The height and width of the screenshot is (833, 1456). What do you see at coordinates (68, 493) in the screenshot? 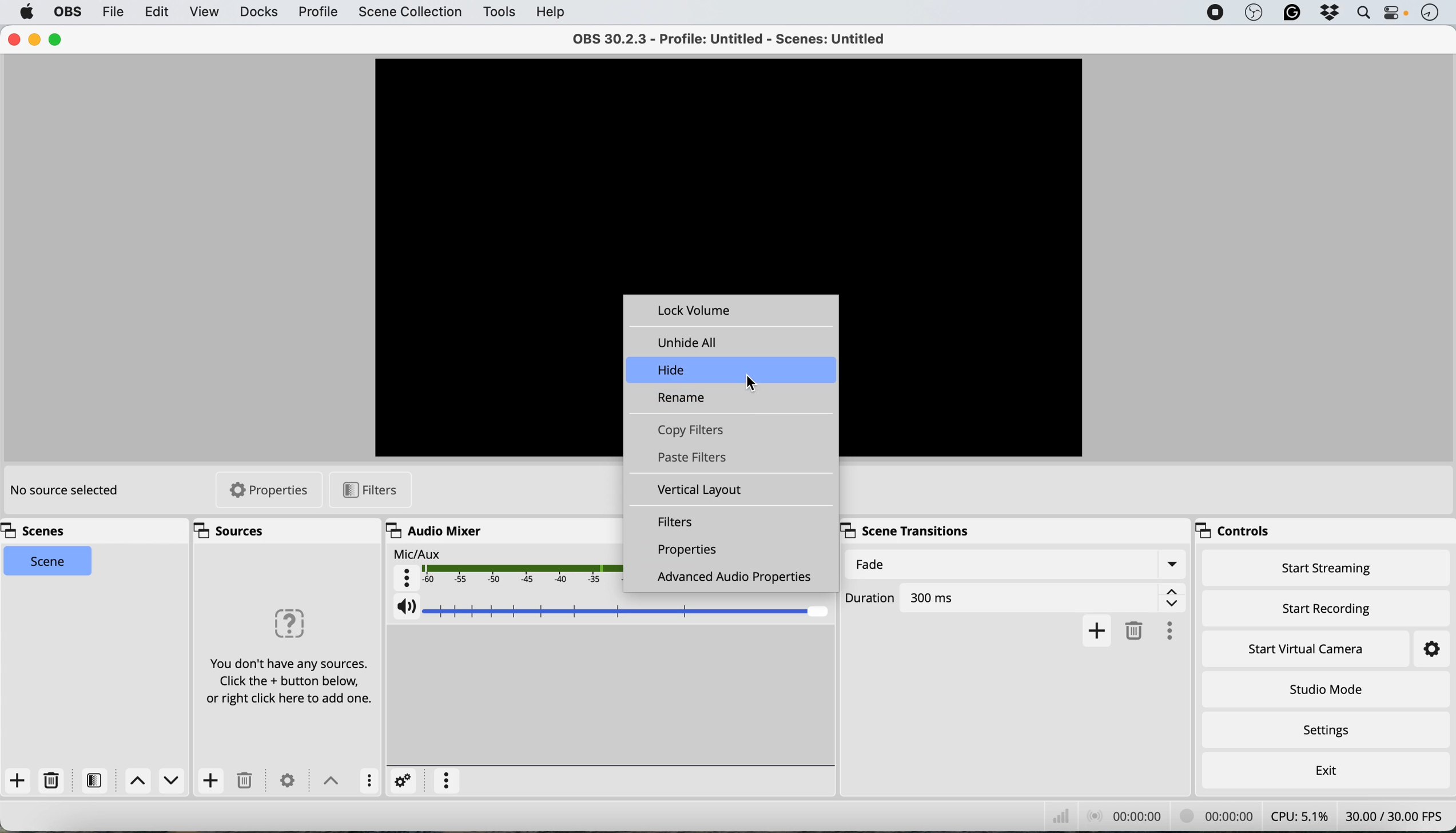
I see `no source selected` at bounding box center [68, 493].